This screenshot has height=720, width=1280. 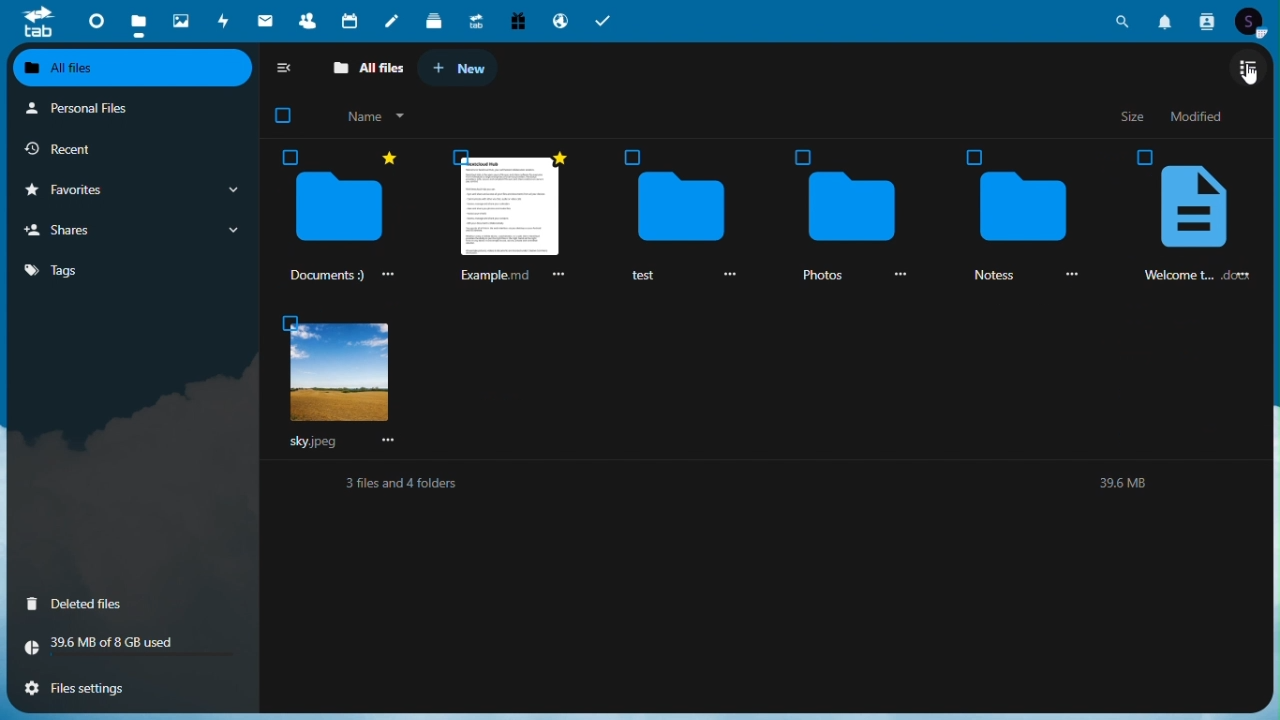 What do you see at coordinates (895, 274) in the screenshot?
I see `more options` at bounding box center [895, 274].